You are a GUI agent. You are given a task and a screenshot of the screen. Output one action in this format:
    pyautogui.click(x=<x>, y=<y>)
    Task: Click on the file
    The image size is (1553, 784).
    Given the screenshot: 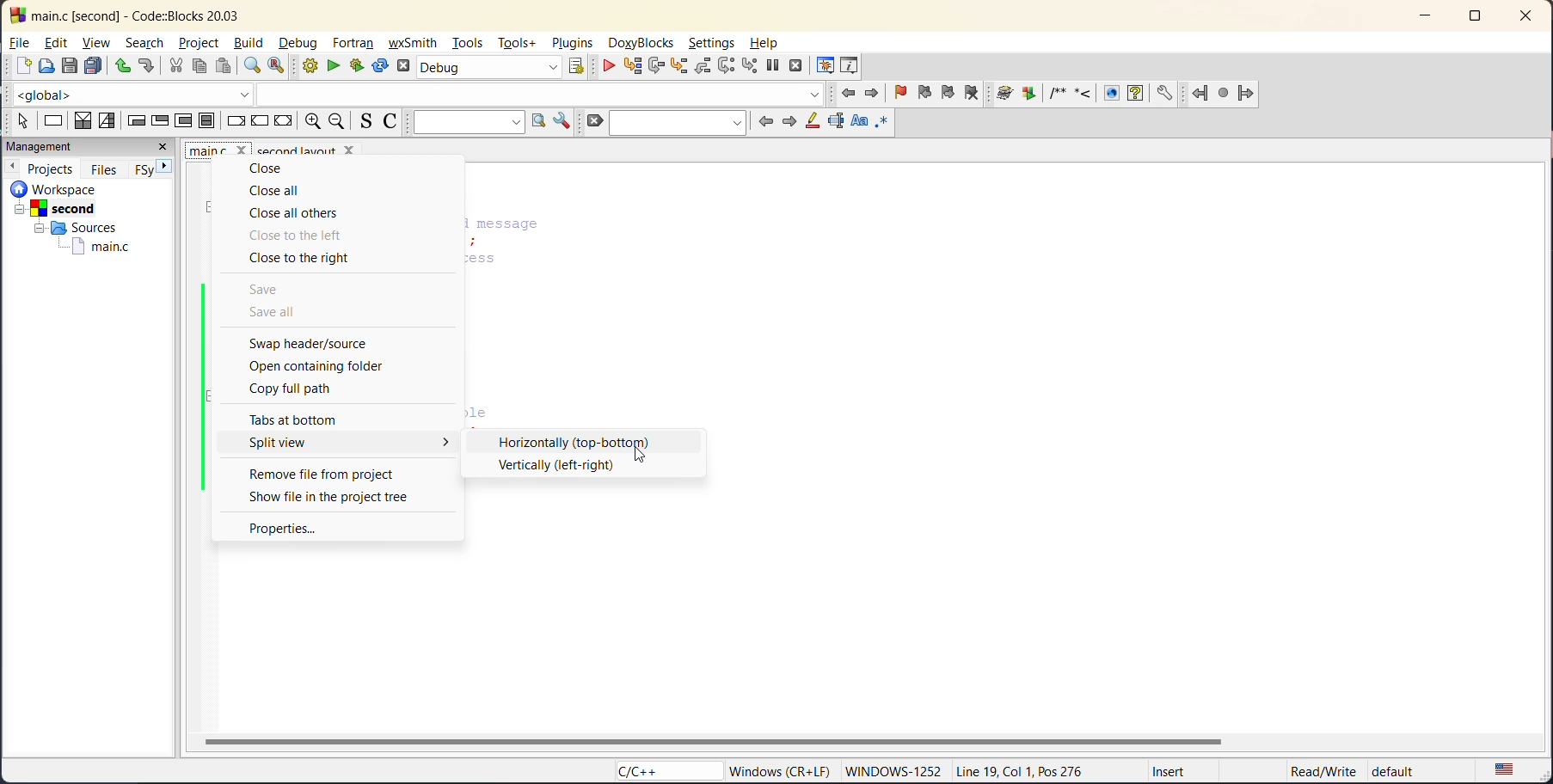 What is the action you would take?
    pyautogui.click(x=20, y=41)
    